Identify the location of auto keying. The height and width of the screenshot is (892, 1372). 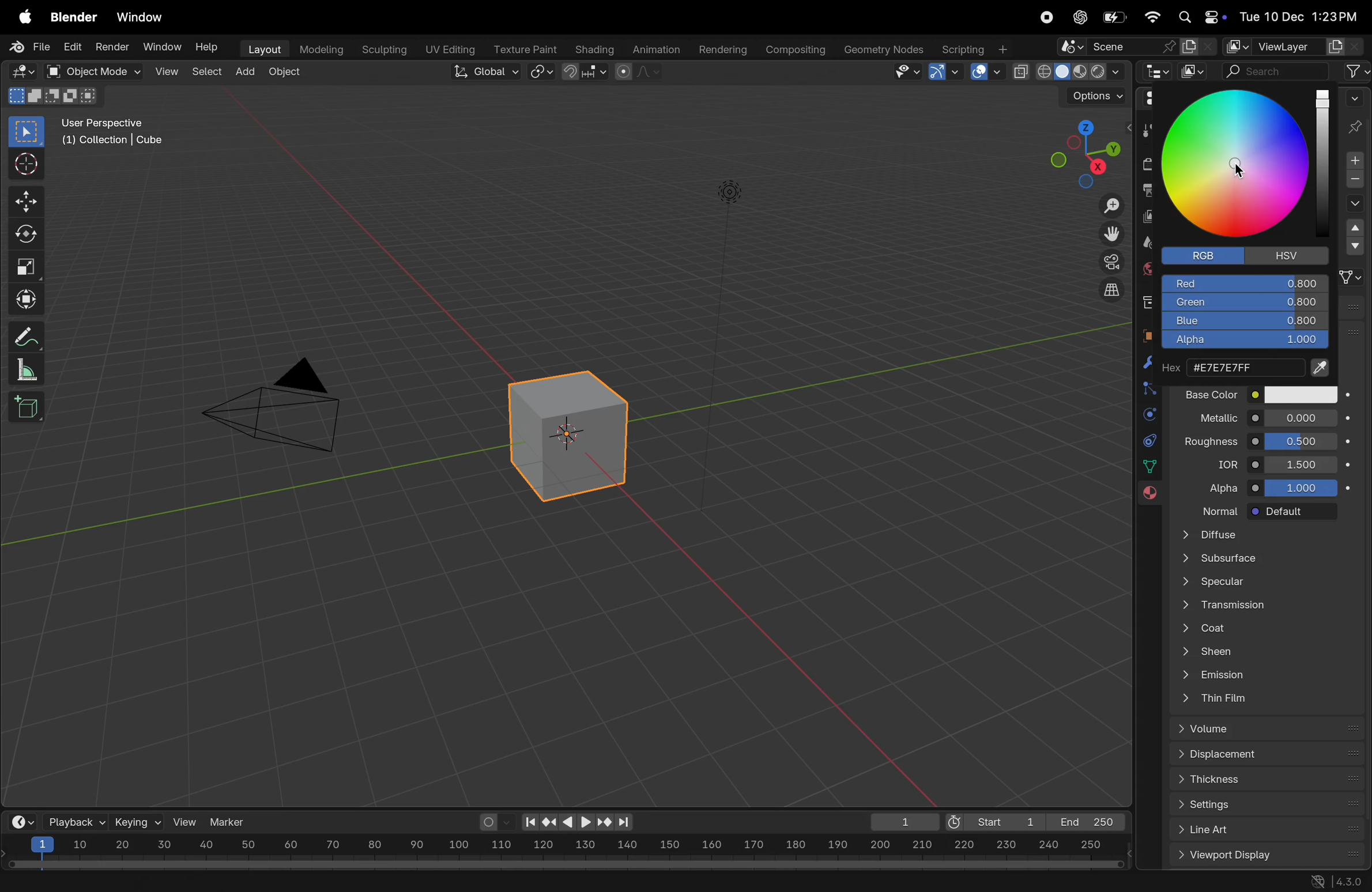
(493, 822).